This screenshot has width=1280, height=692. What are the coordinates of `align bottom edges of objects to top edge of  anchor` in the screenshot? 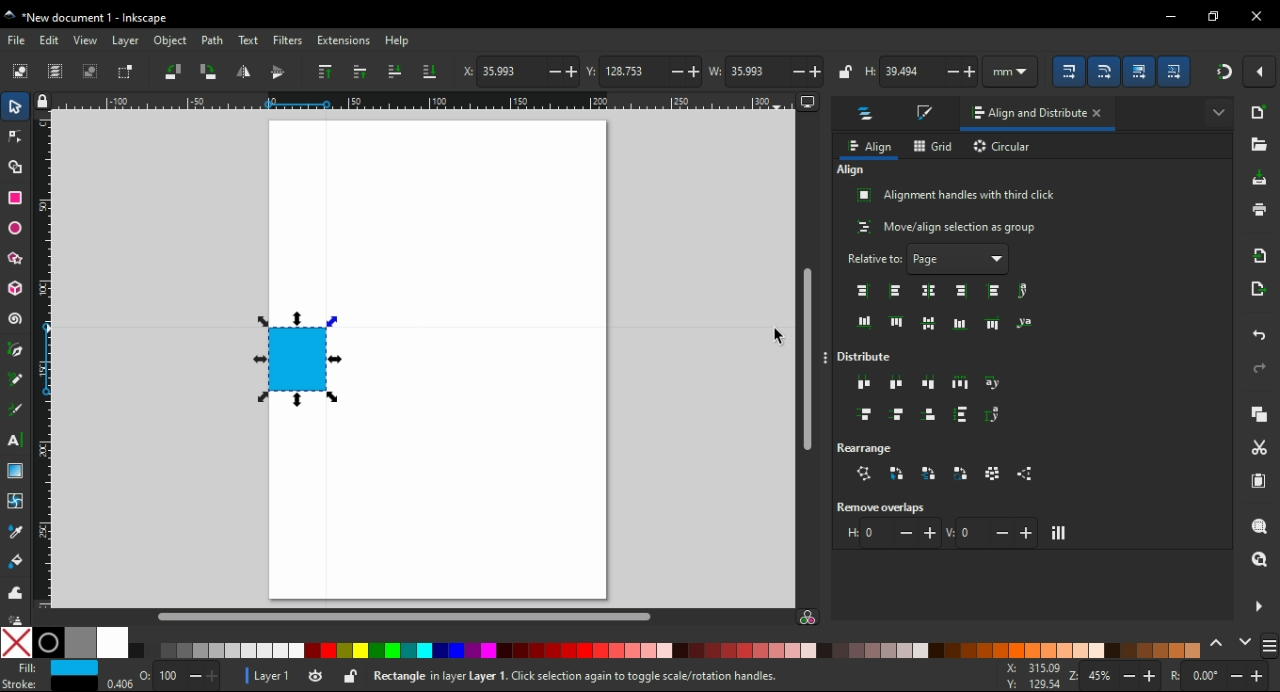 It's located at (861, 319).